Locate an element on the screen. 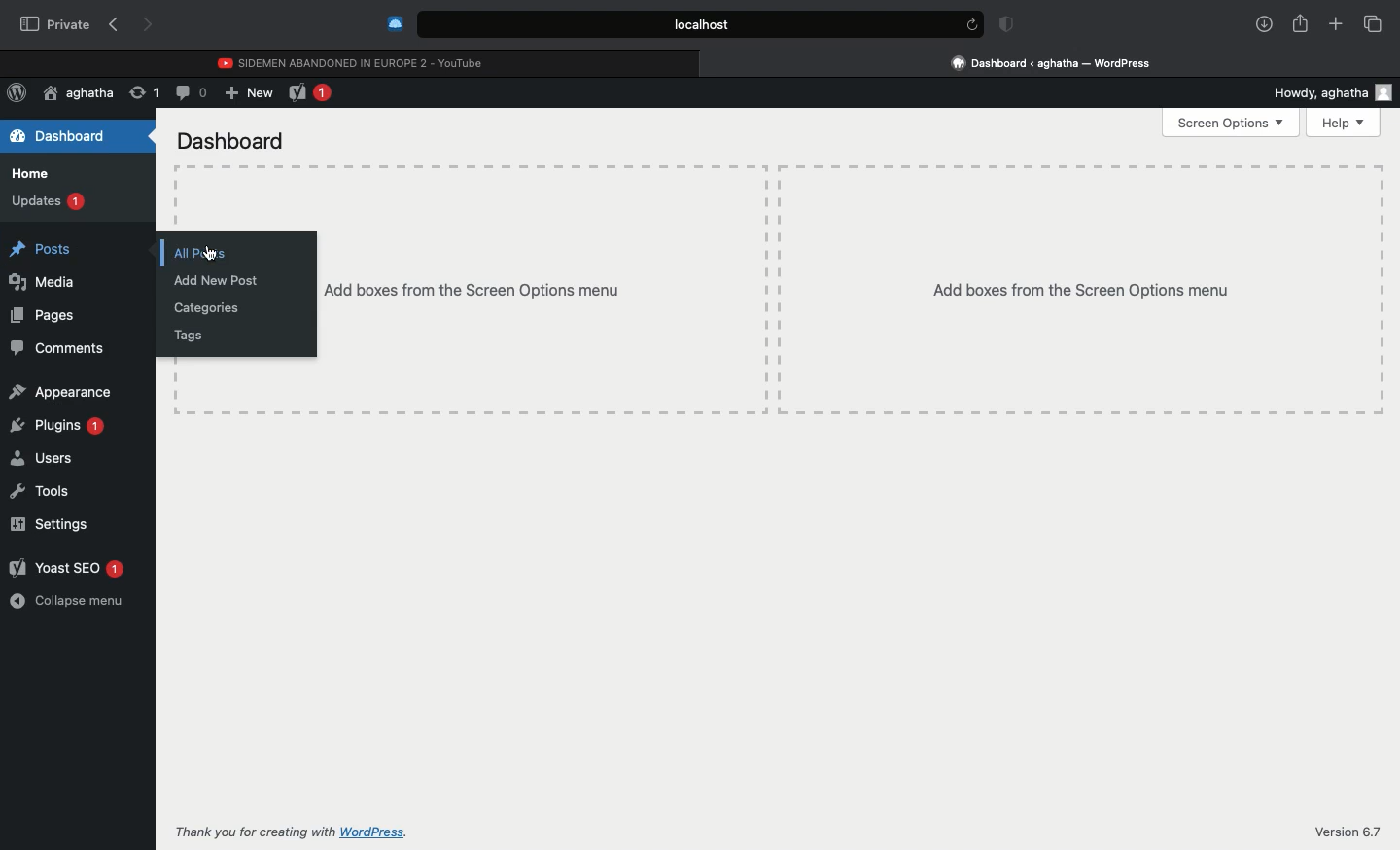  Tools is located at coordinates (39, 493).